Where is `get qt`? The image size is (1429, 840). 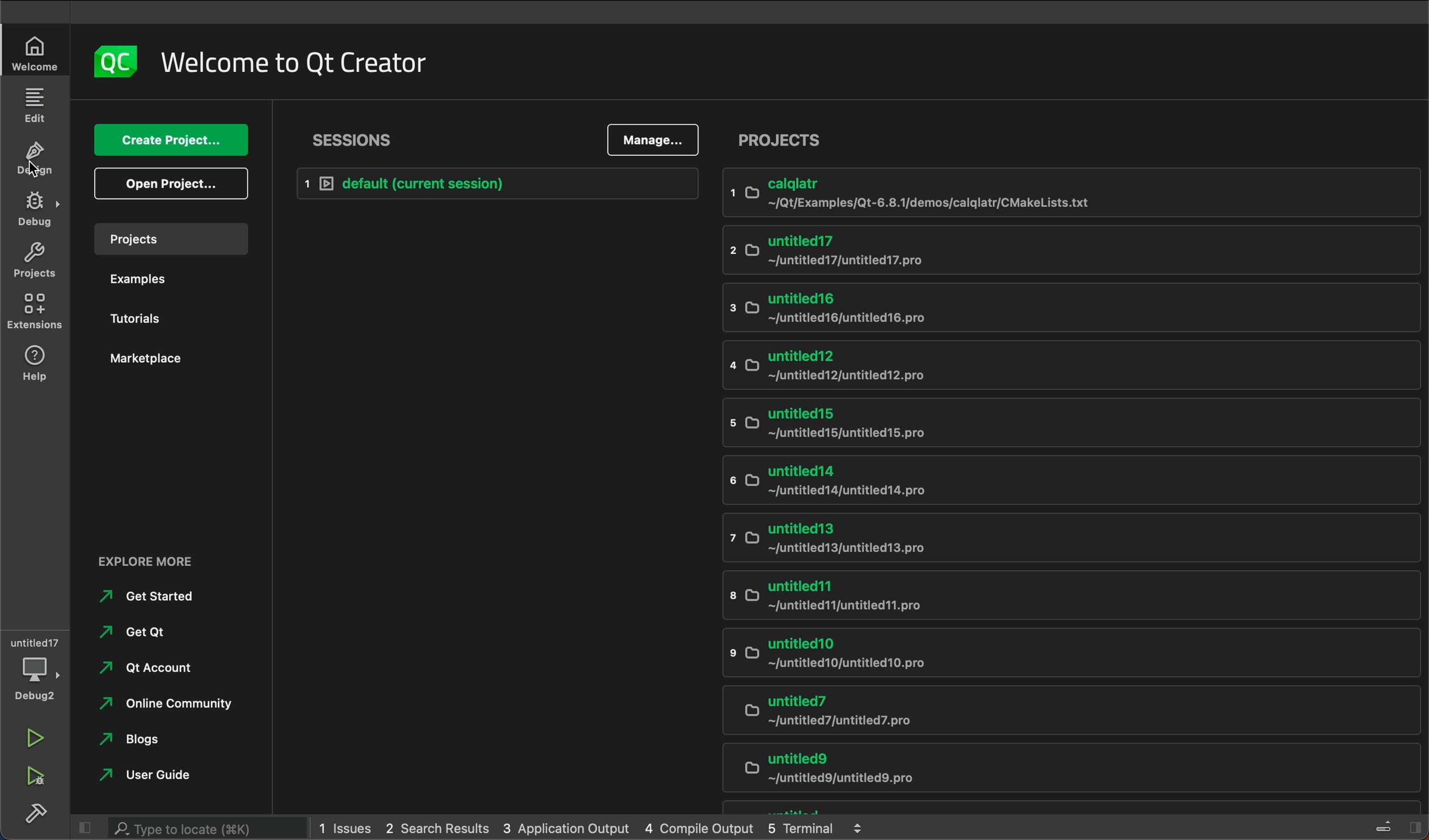
get qt is located at coordinates (128, 634).